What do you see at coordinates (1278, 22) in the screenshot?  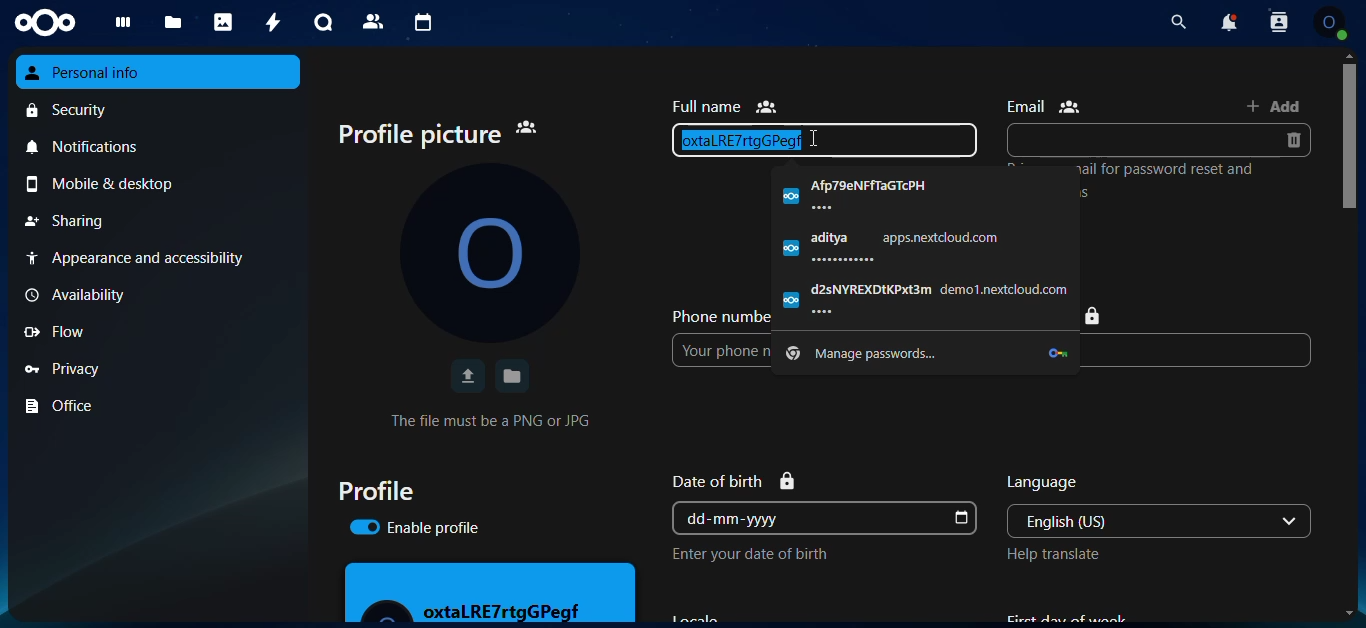 I see `contact` at bounding box center [1278, 22].